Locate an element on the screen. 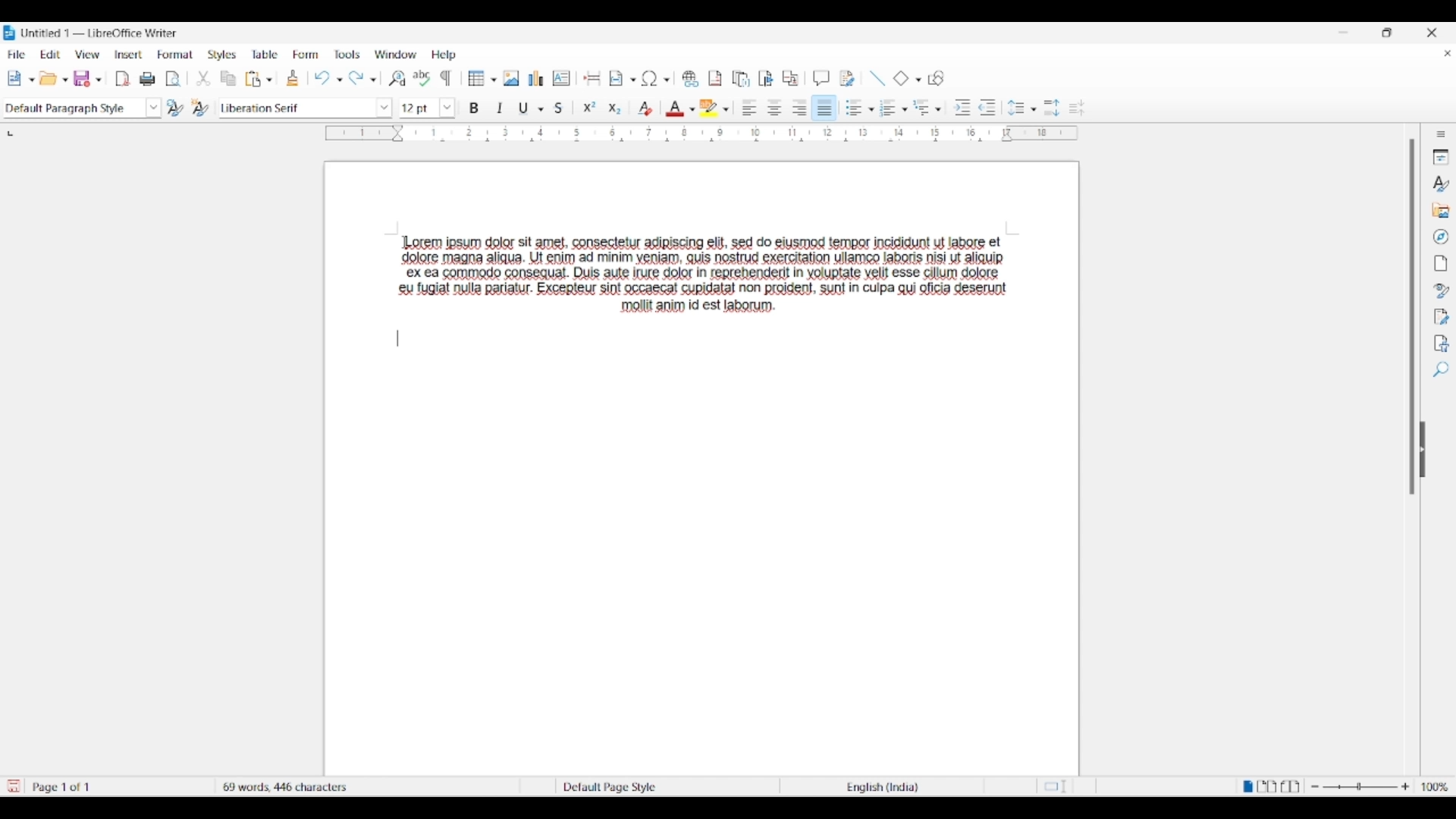  Edit is located at coordinates (50, 54).